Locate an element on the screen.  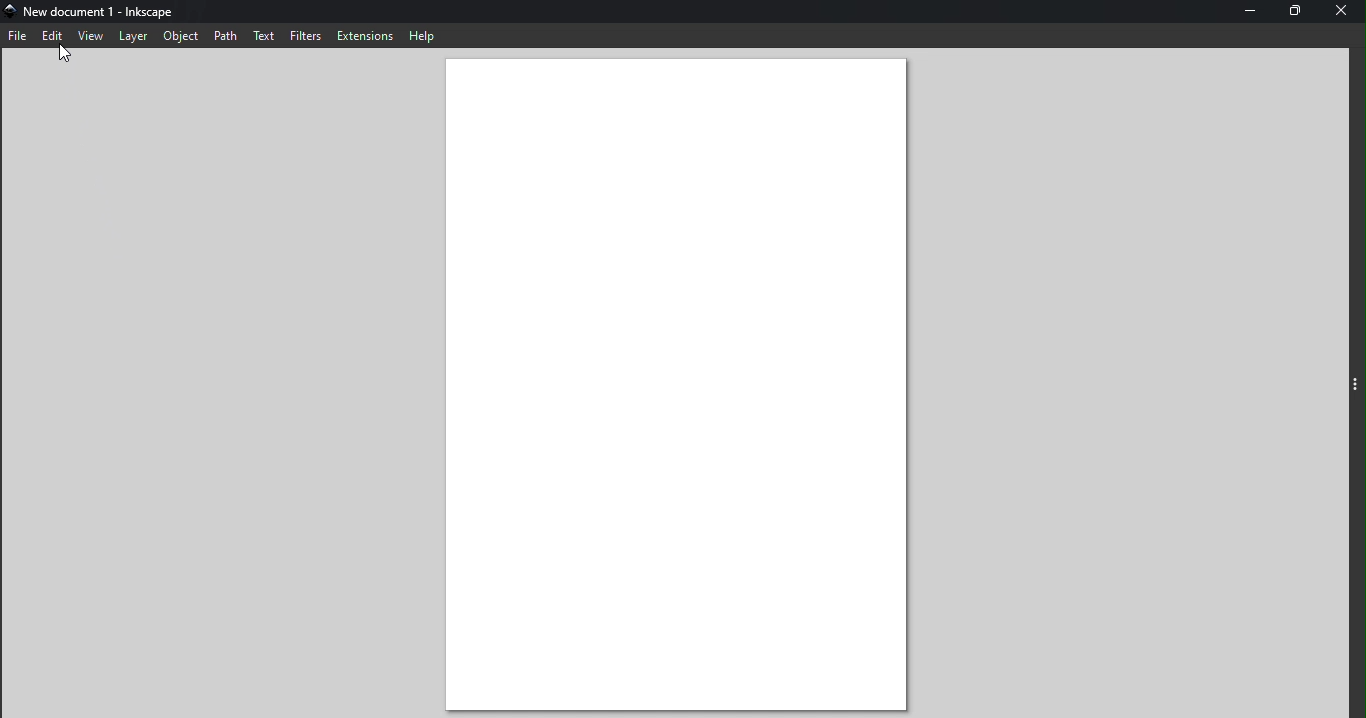
Extensions is located at coordinates (366, 35).